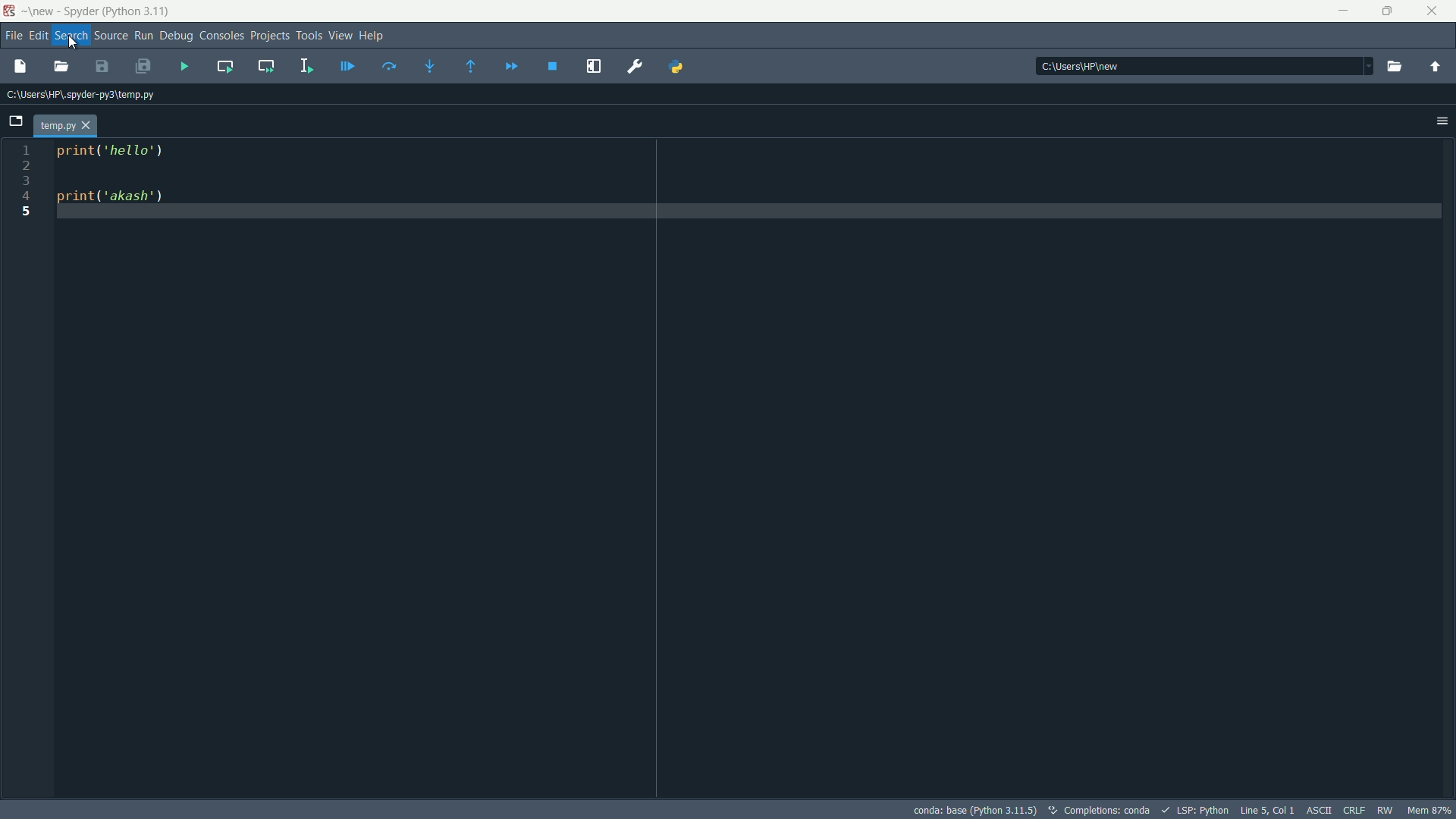  Describe the element at coordinates (27, 470) in the screenshot. I see `line numbers` at that location.